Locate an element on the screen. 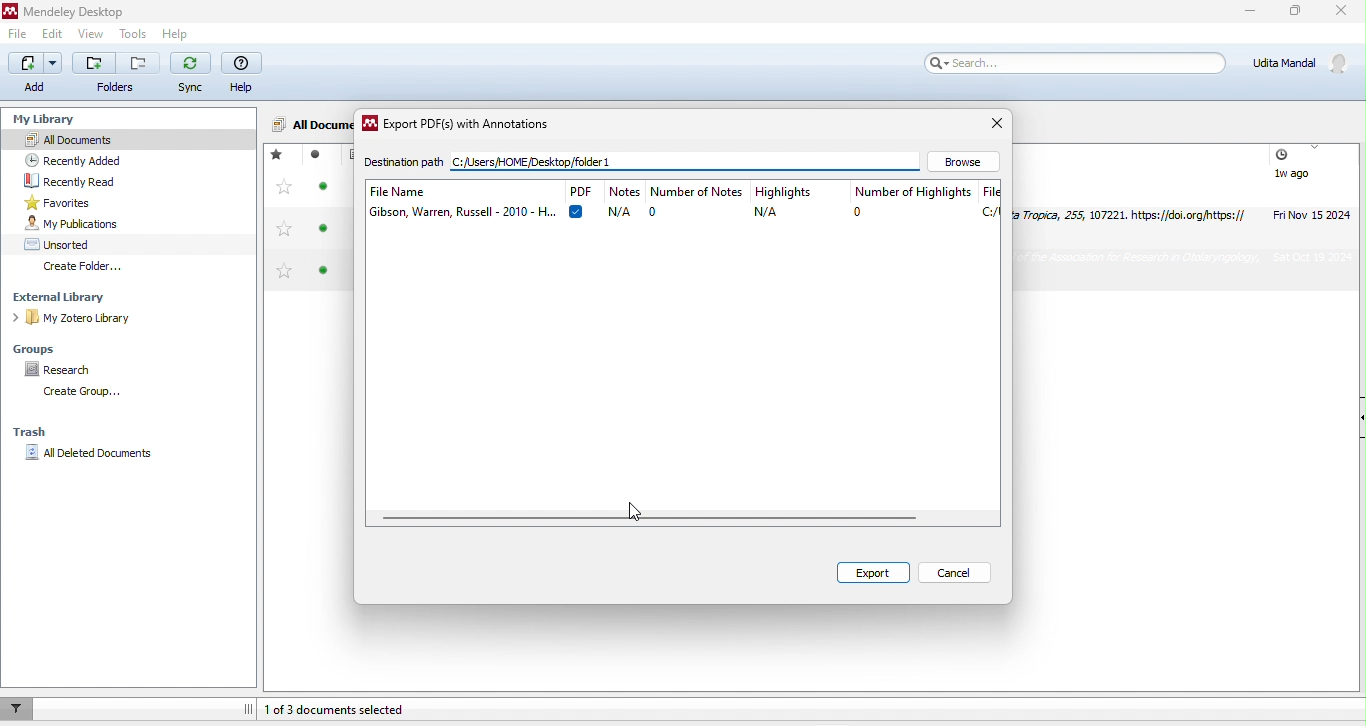  toggle hide/show is located at coordinates (249, 707).